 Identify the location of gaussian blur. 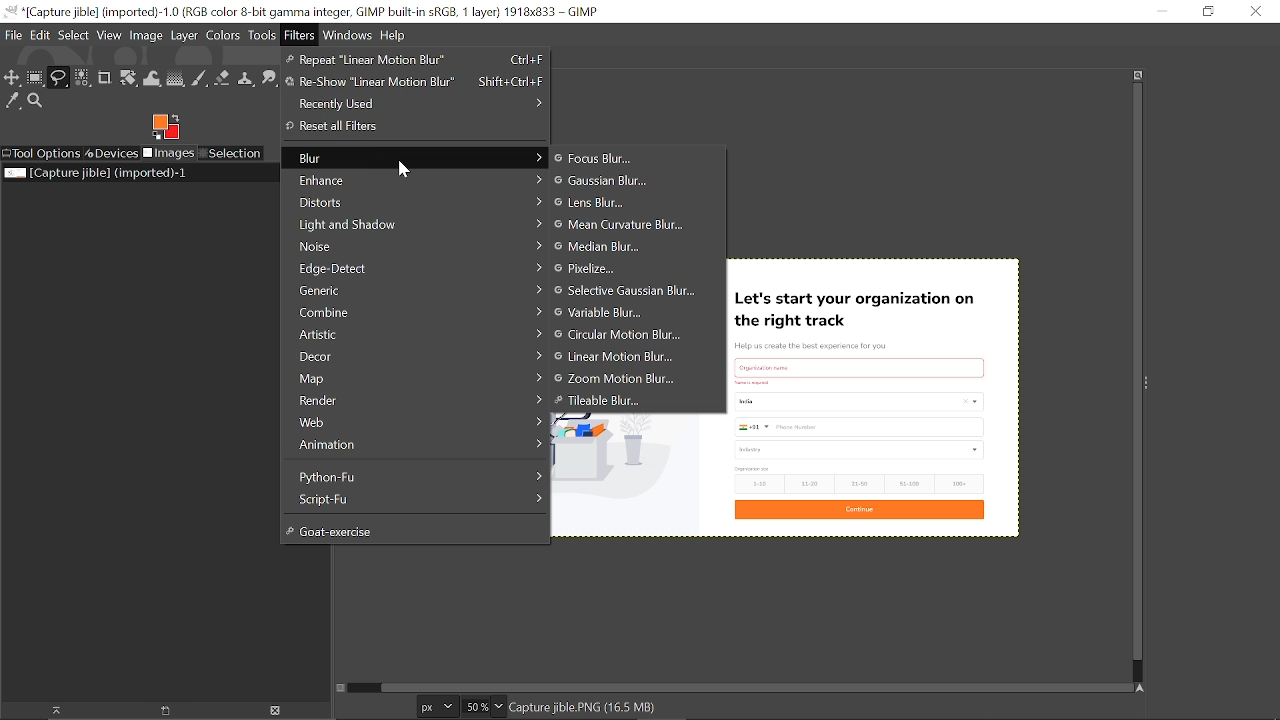
(620, 180).